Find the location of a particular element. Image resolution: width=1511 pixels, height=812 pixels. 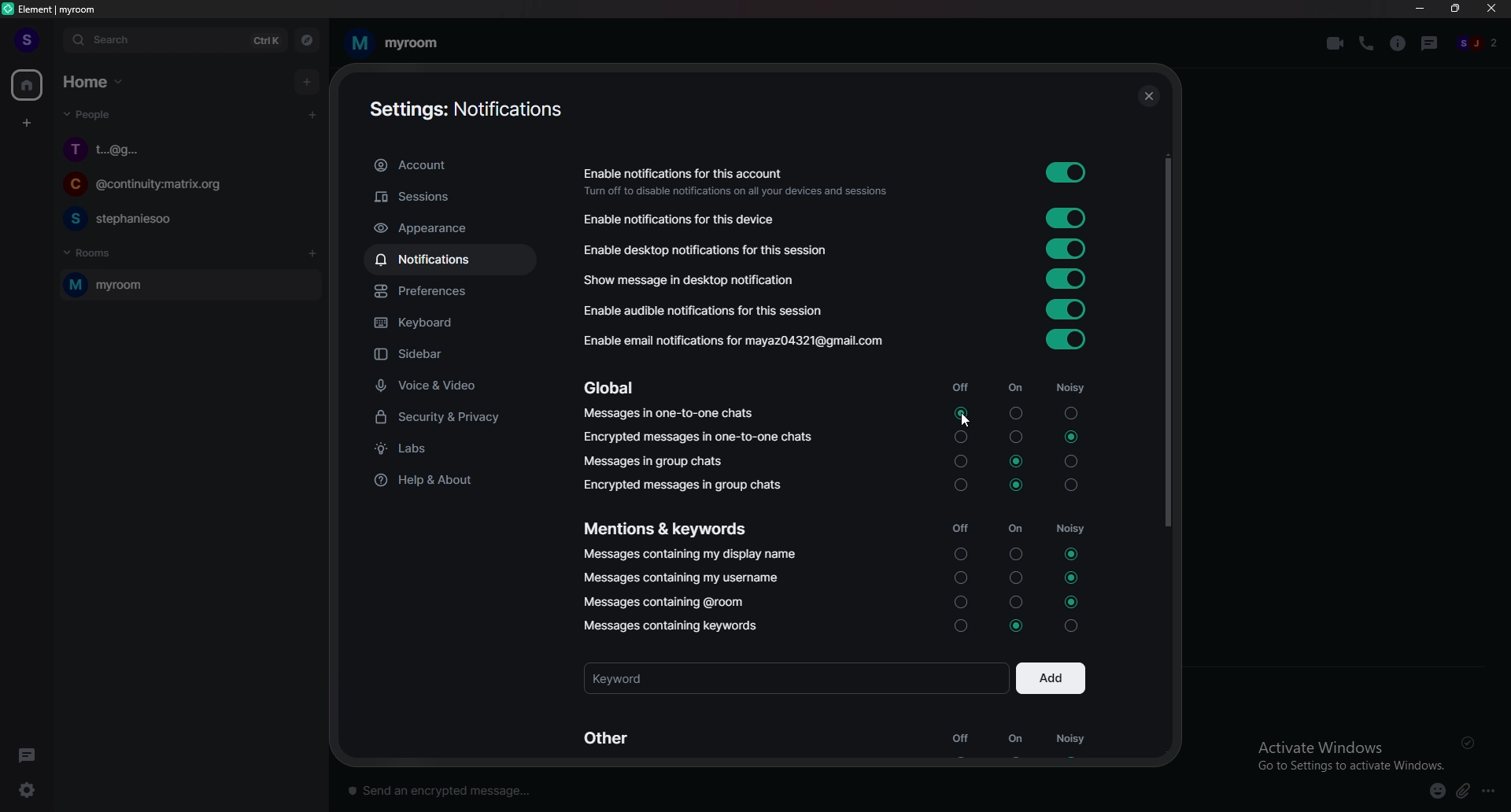

create a space is located at coordinates (27, 124).